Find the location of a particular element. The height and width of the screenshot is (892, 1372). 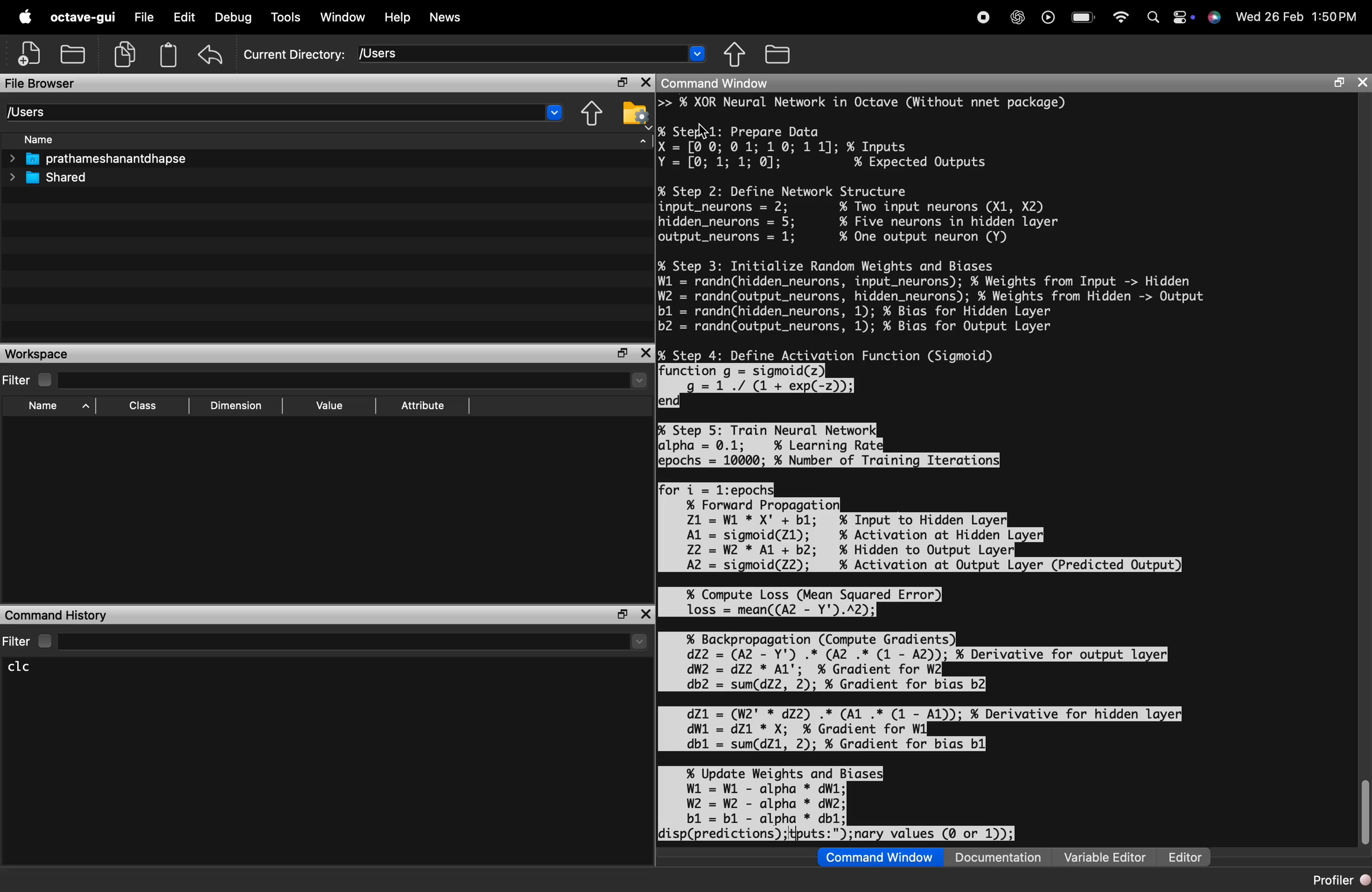

Undo is located at coordinates (211, 54).